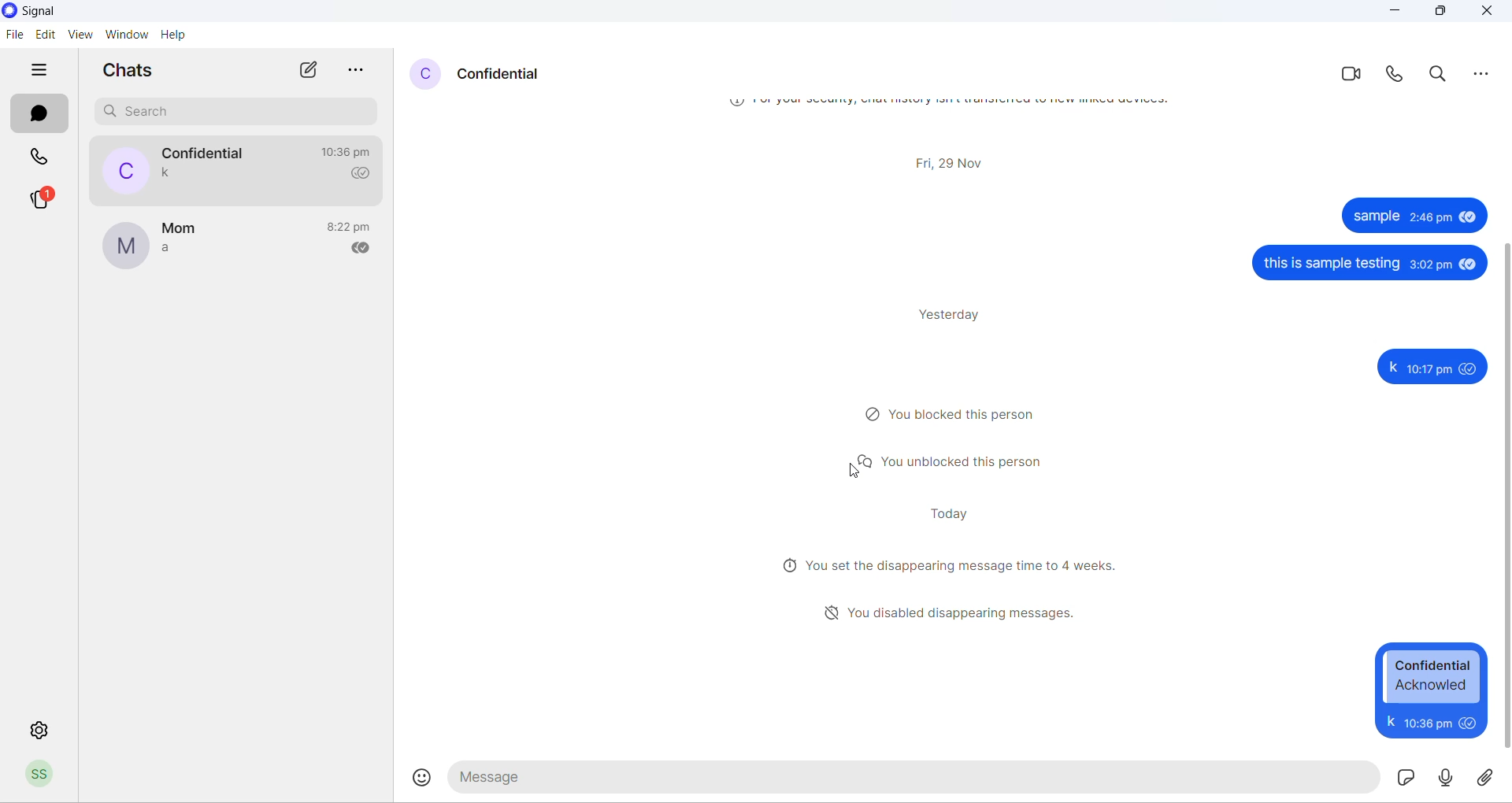 This screenshot has height=803, width=1512. Describe the element at coordinates (951, 515) in the screenshot. I see `today ` at that location.